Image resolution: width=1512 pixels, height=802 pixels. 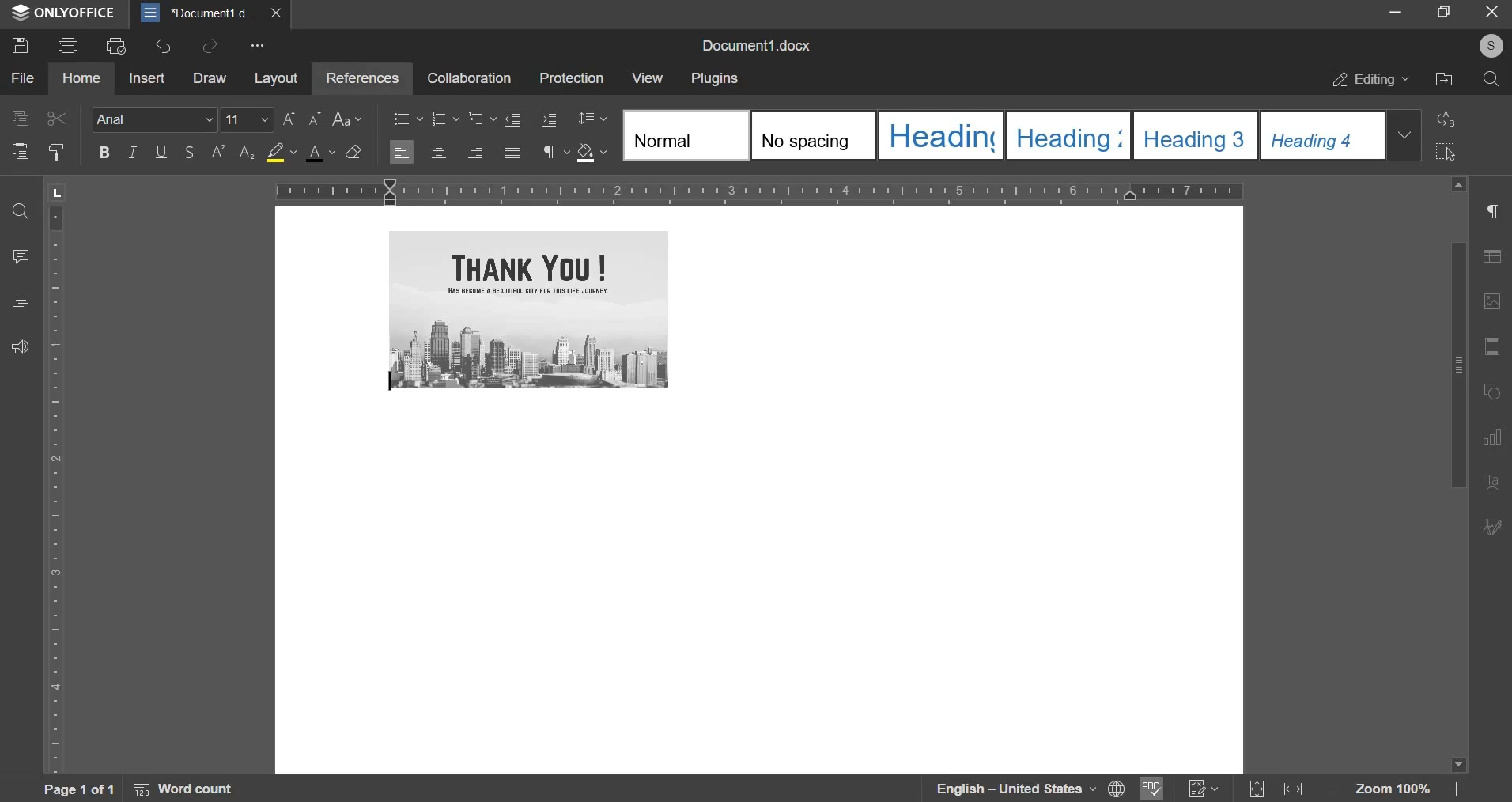 I want to click on print preview, so click(x=116, y=45).